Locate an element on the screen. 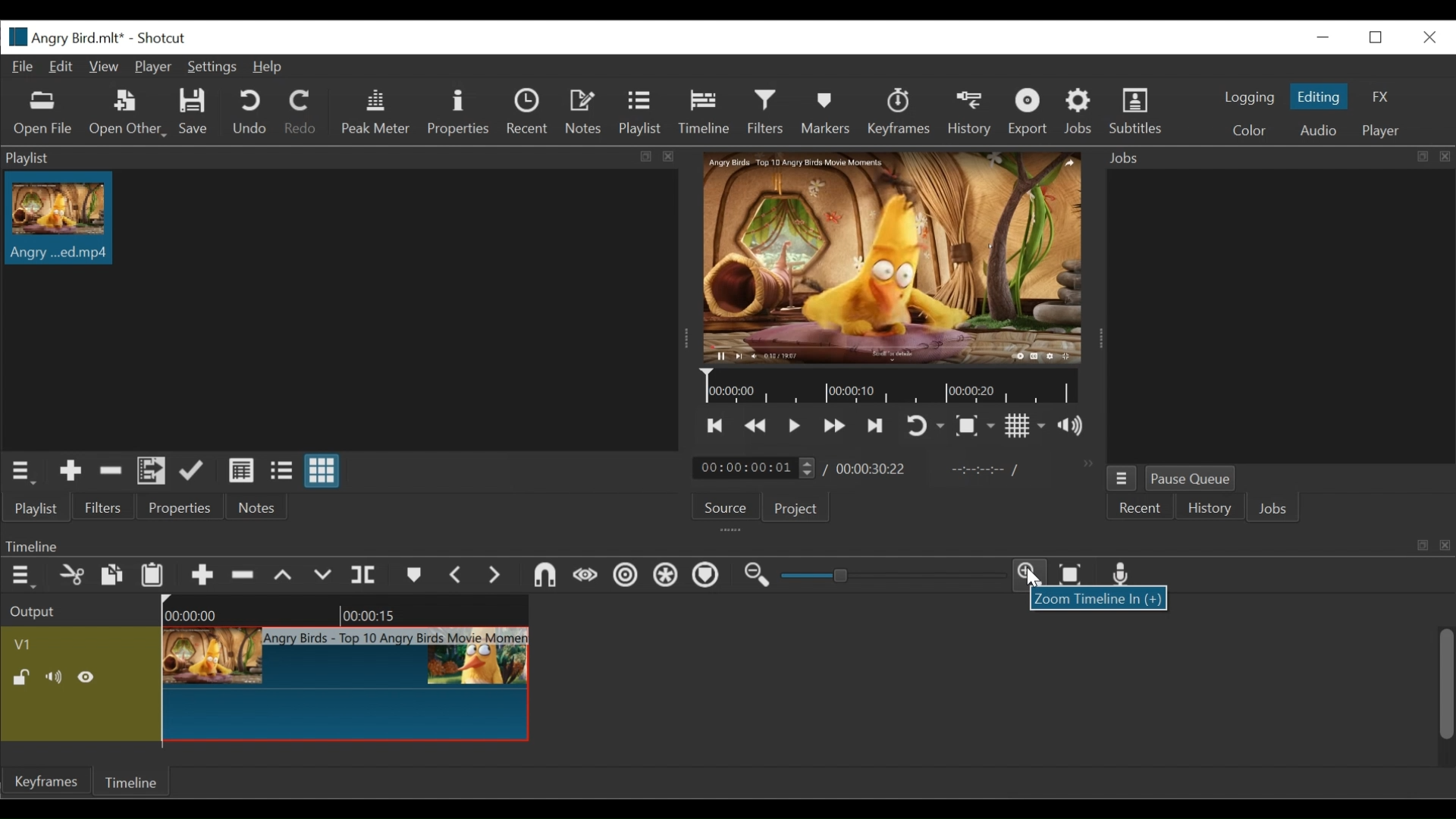 The image size is (1456, 819). Timeline is located at coordinates (133, 780).